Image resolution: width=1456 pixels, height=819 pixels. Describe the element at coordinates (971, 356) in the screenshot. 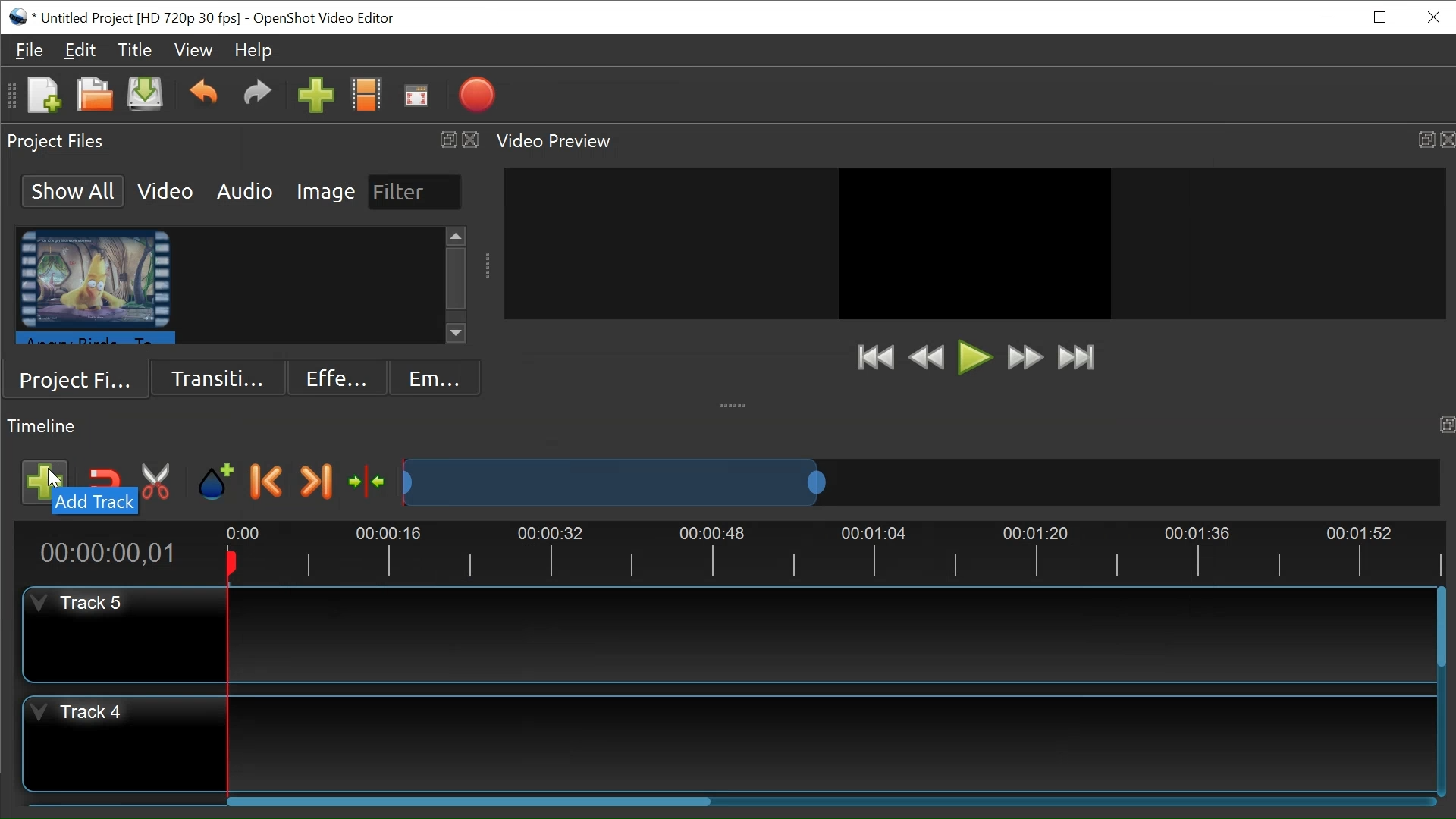

I see `Play` at that location.